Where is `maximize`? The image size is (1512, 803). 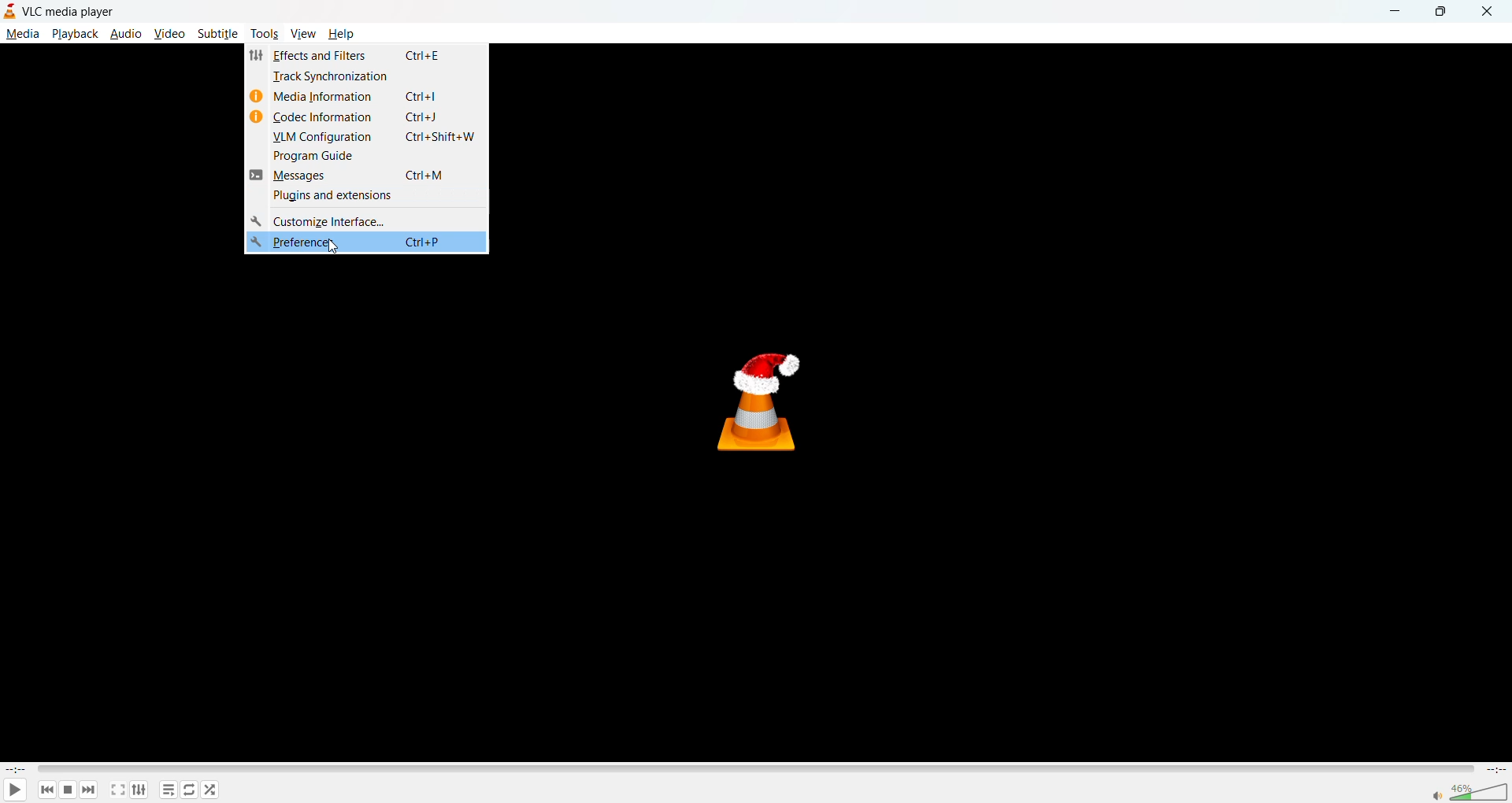
maximize is located at coordinates (1440, 13).